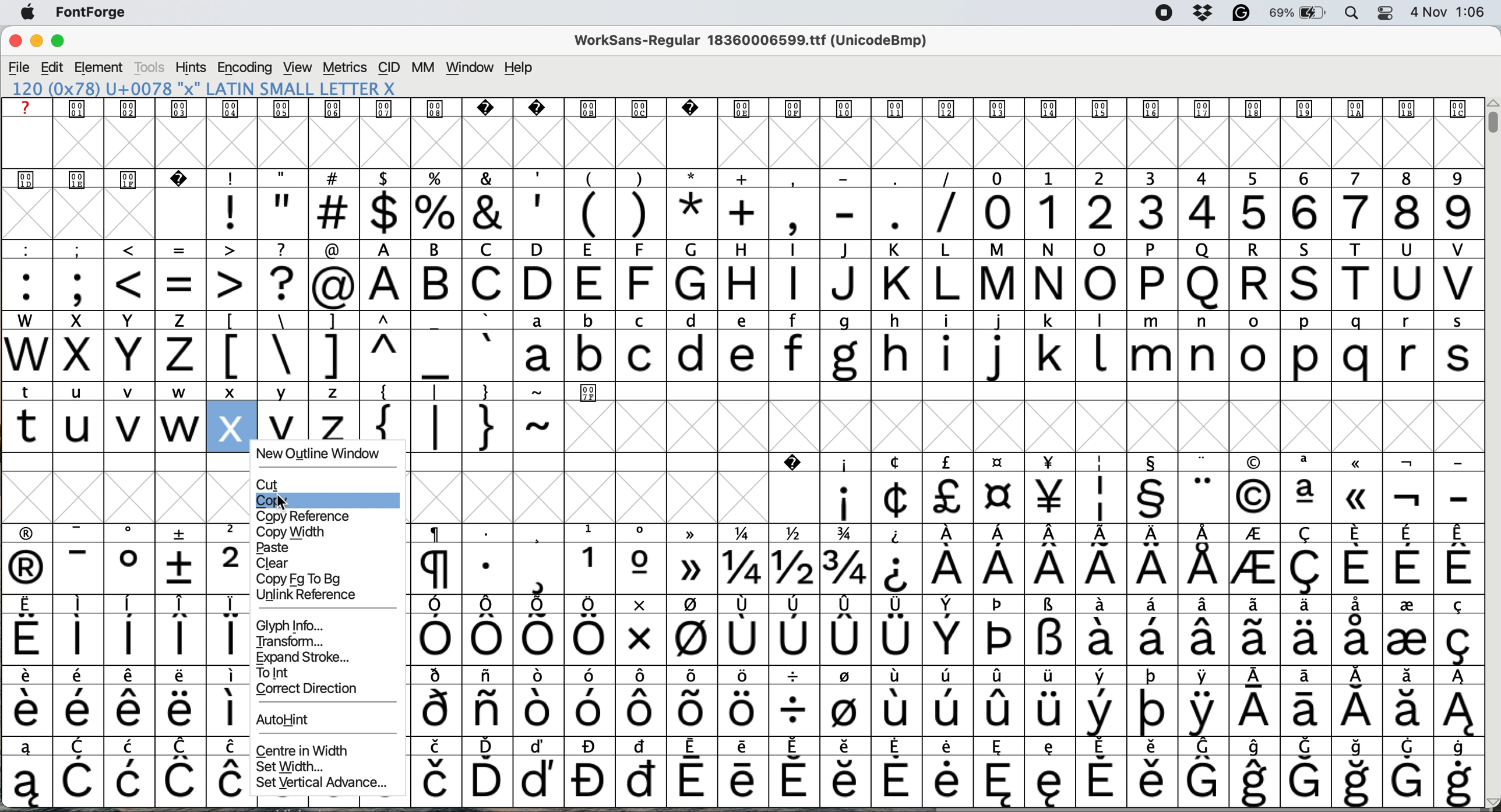  What do you see at coordinates (362, 392) in the screenshot?
I see `special characters` at bounding box center [362, 392].